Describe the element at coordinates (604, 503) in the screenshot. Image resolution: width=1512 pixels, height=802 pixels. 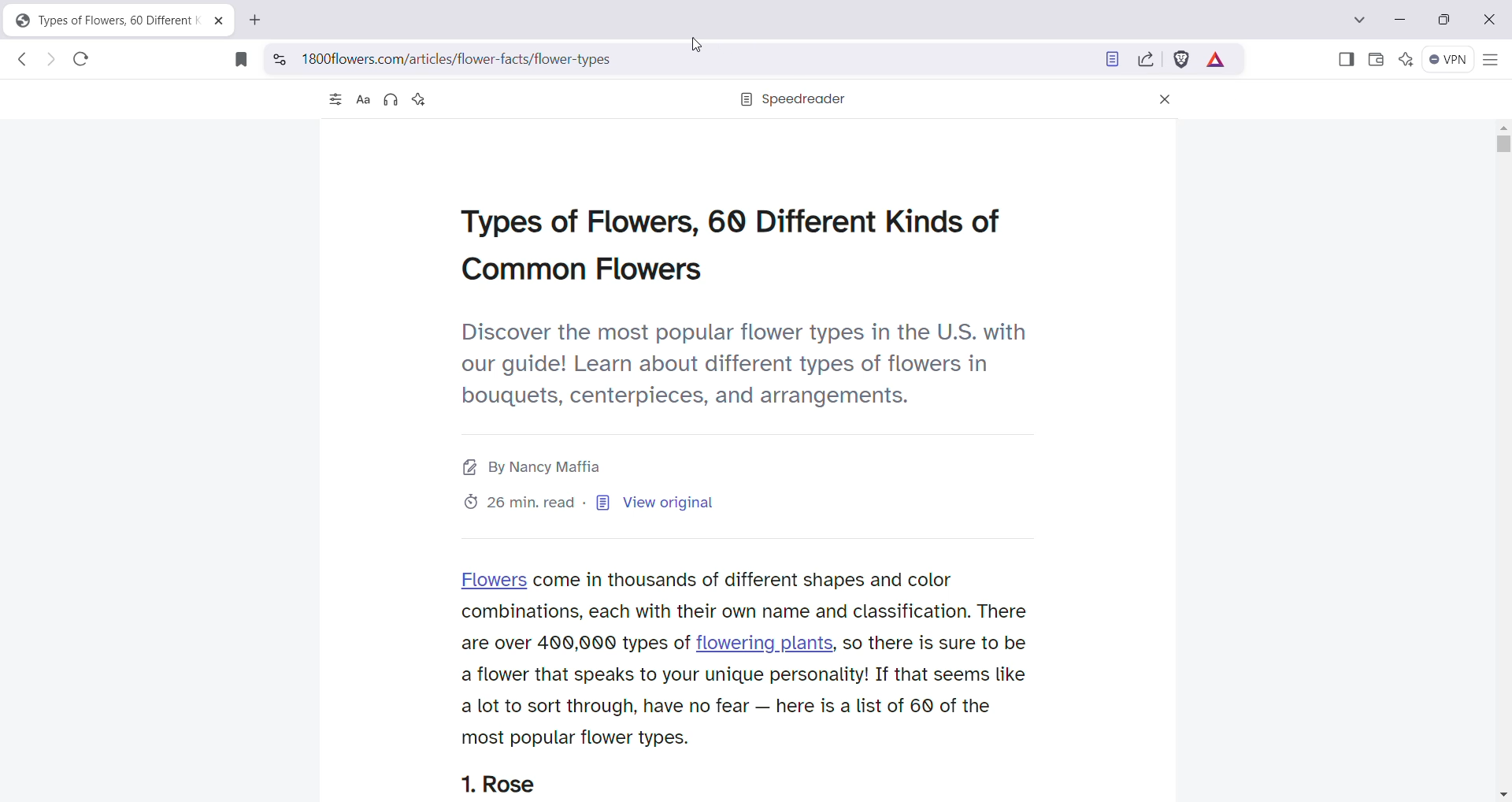
I see `view orginial` at that location.